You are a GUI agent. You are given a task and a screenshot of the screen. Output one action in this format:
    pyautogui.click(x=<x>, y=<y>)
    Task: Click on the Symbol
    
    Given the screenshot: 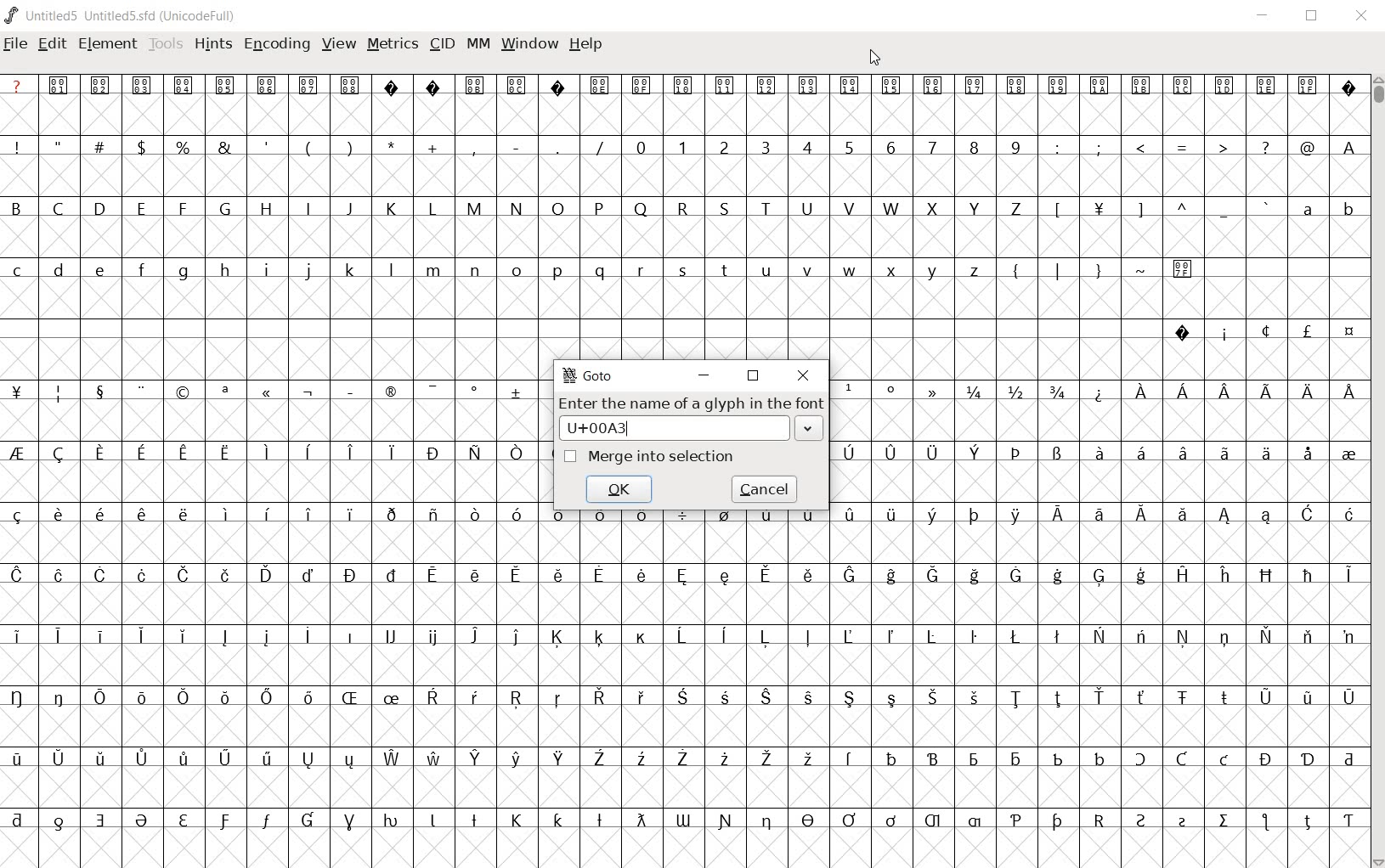 What is the action you would take?
    pyautogui.click(x=59, y=697)
    